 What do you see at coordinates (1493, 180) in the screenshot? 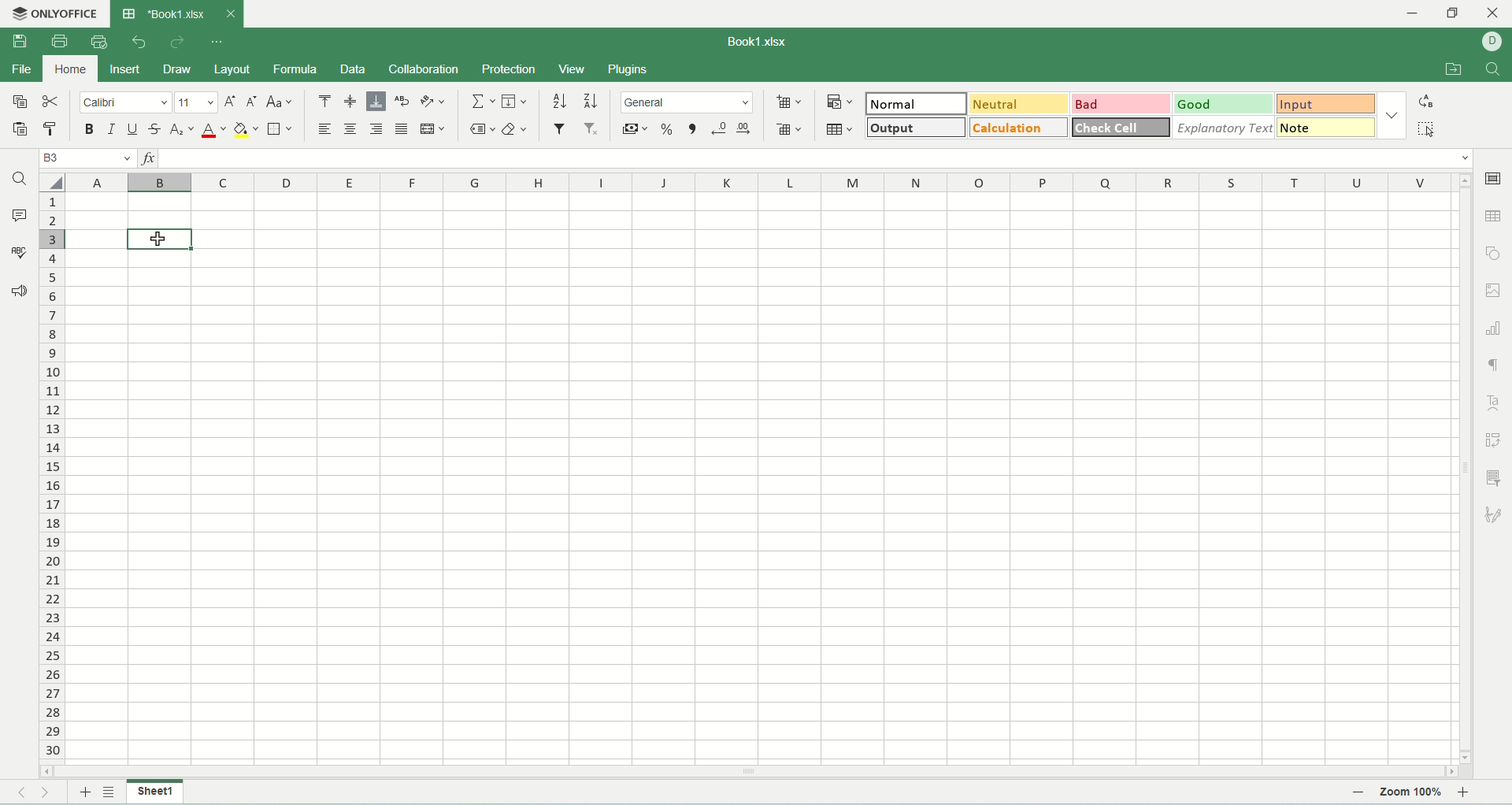
I see `cell setting` at bounding box center [1493, 180].